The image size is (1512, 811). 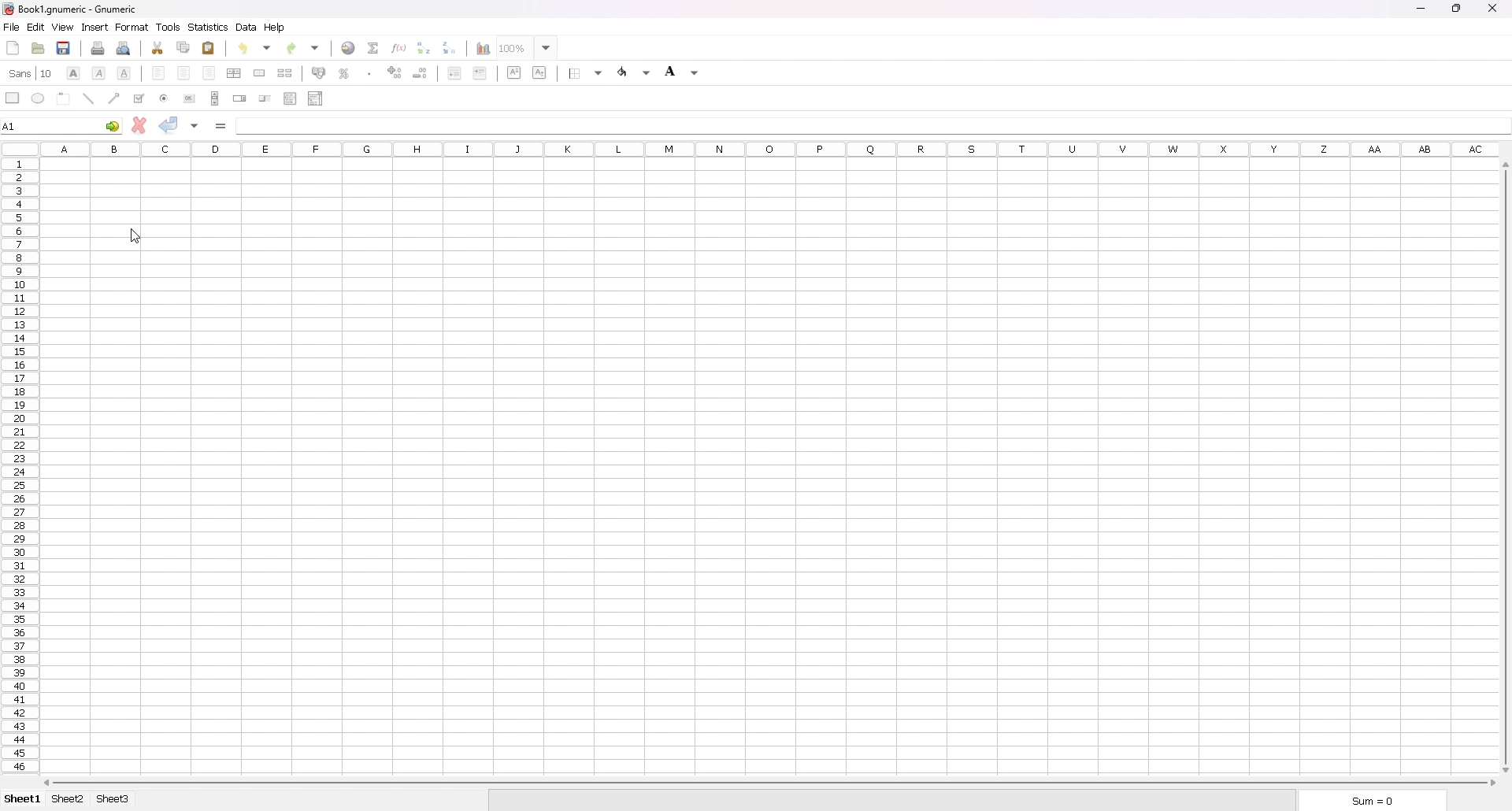 What do you see at coordinates (169, 125) in the screenshot?
I see `accept changes` at bounding box center [169, 125].